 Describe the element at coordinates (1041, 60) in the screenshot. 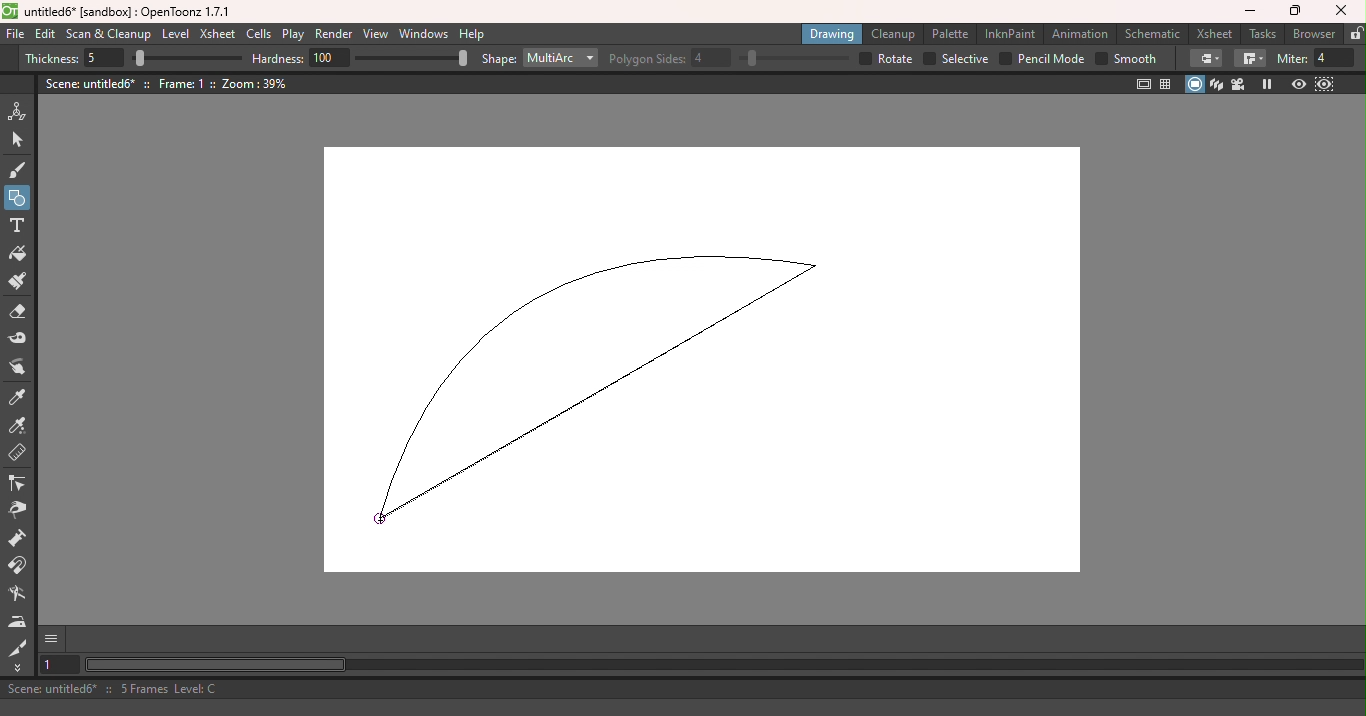

I see `Pencil mode` at that location.